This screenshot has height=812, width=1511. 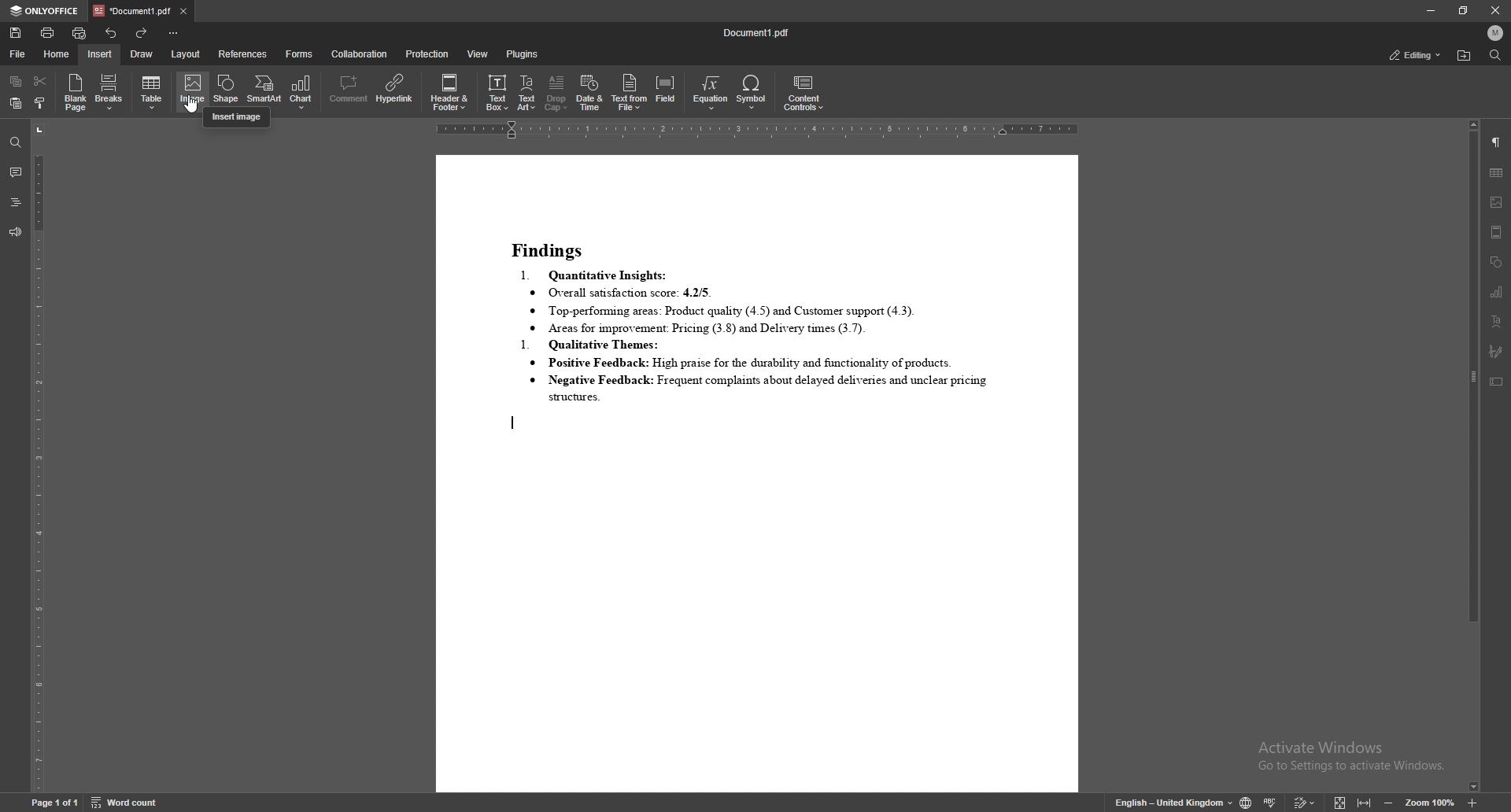 I want to click on find, so click(x=14, y=142).